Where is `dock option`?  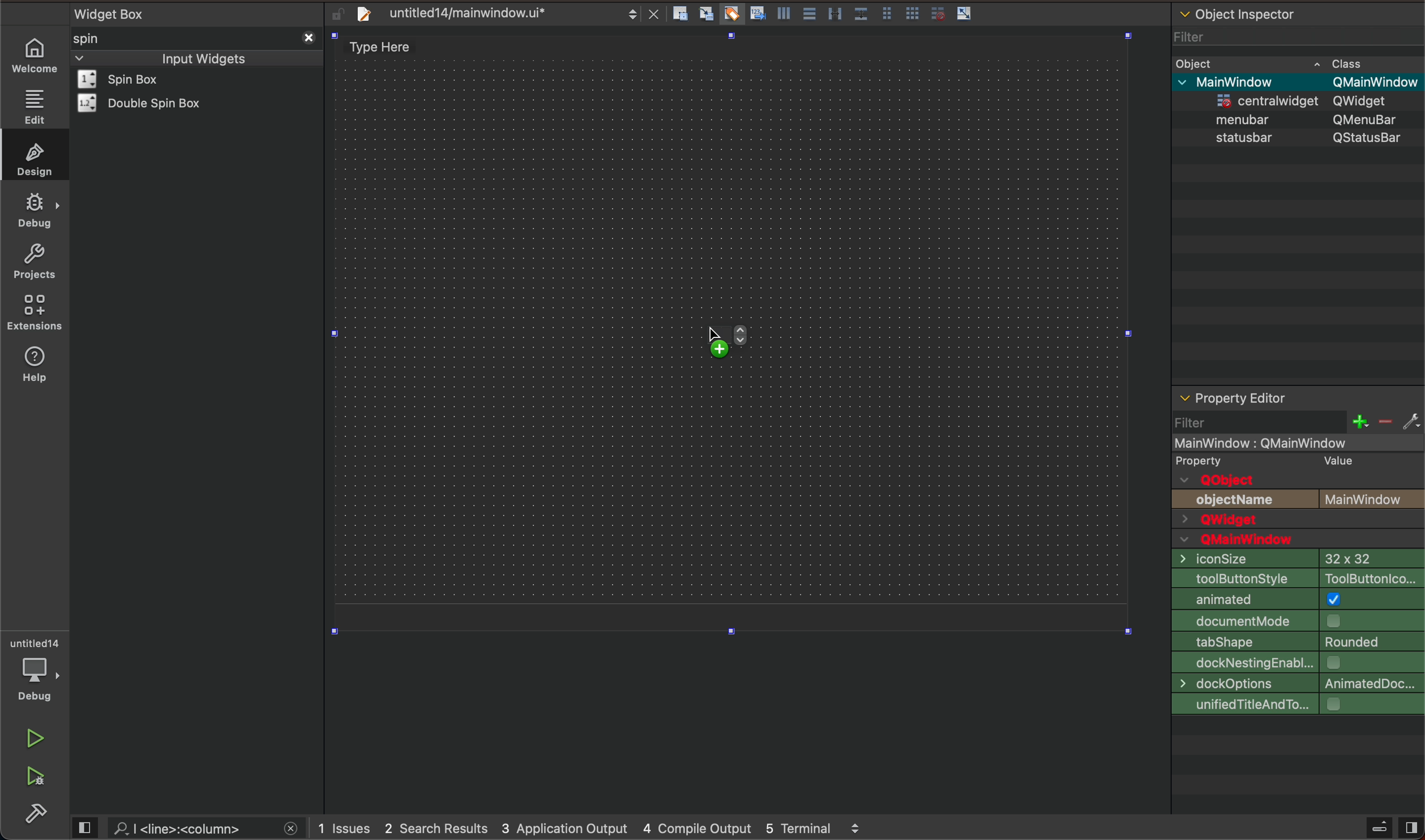
dock option is located at coordinates (1295, 684).